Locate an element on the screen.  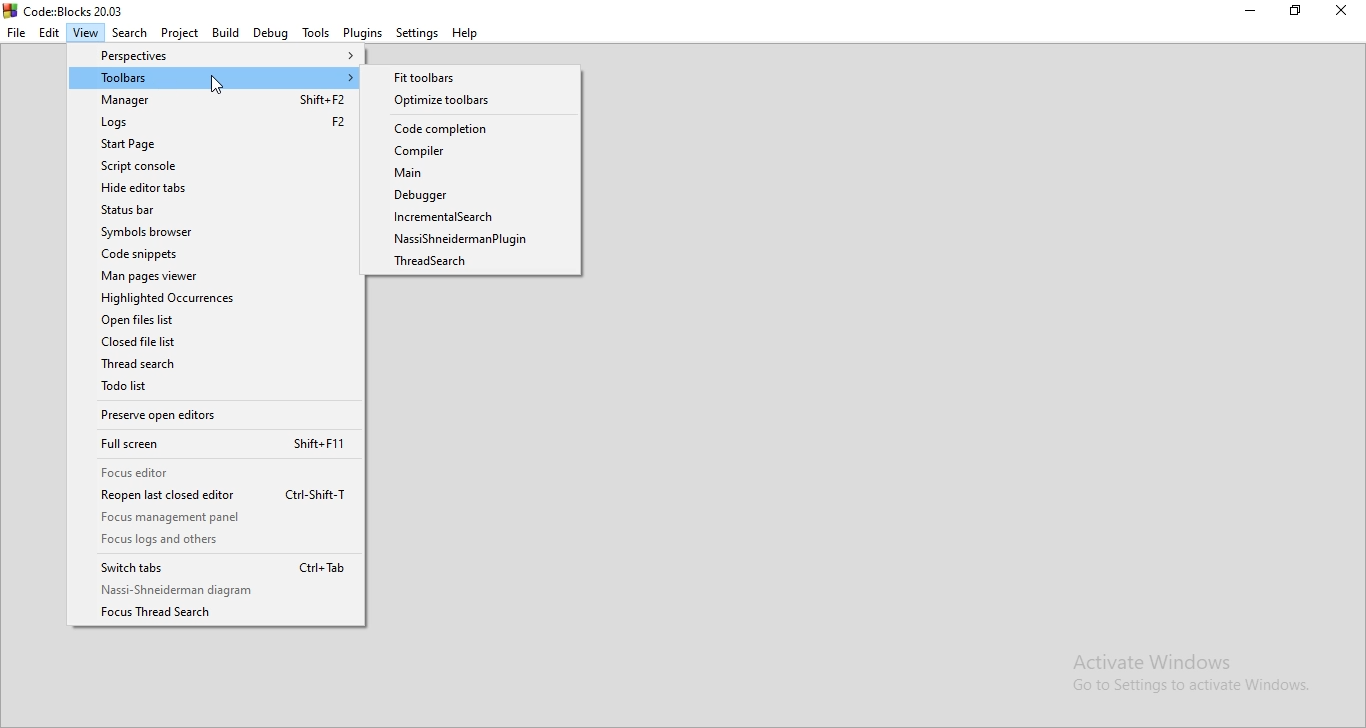
Symbols browser is located at coordinates (213, 230).